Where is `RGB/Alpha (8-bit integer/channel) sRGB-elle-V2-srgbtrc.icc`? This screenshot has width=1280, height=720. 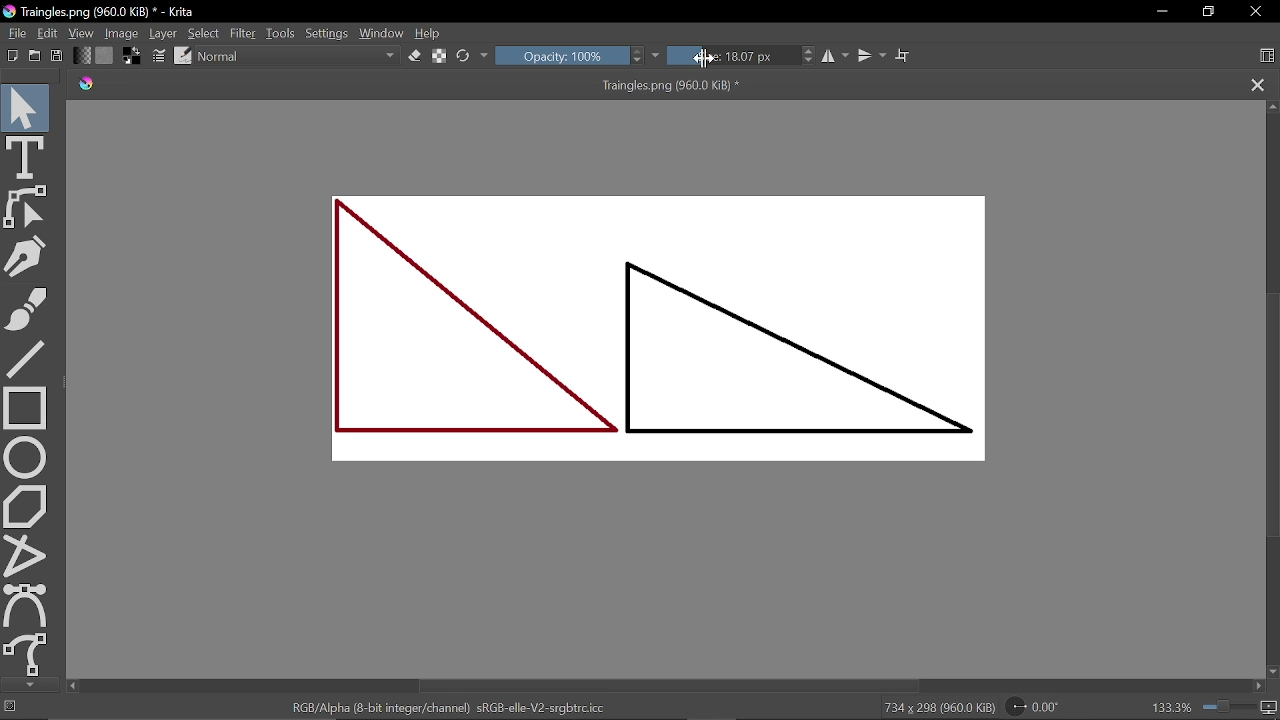
RGB/Alpha (8-bit integer/channel) sRGB-elle-V2-srgbtrc.icc is located at coordinates (444, 706).